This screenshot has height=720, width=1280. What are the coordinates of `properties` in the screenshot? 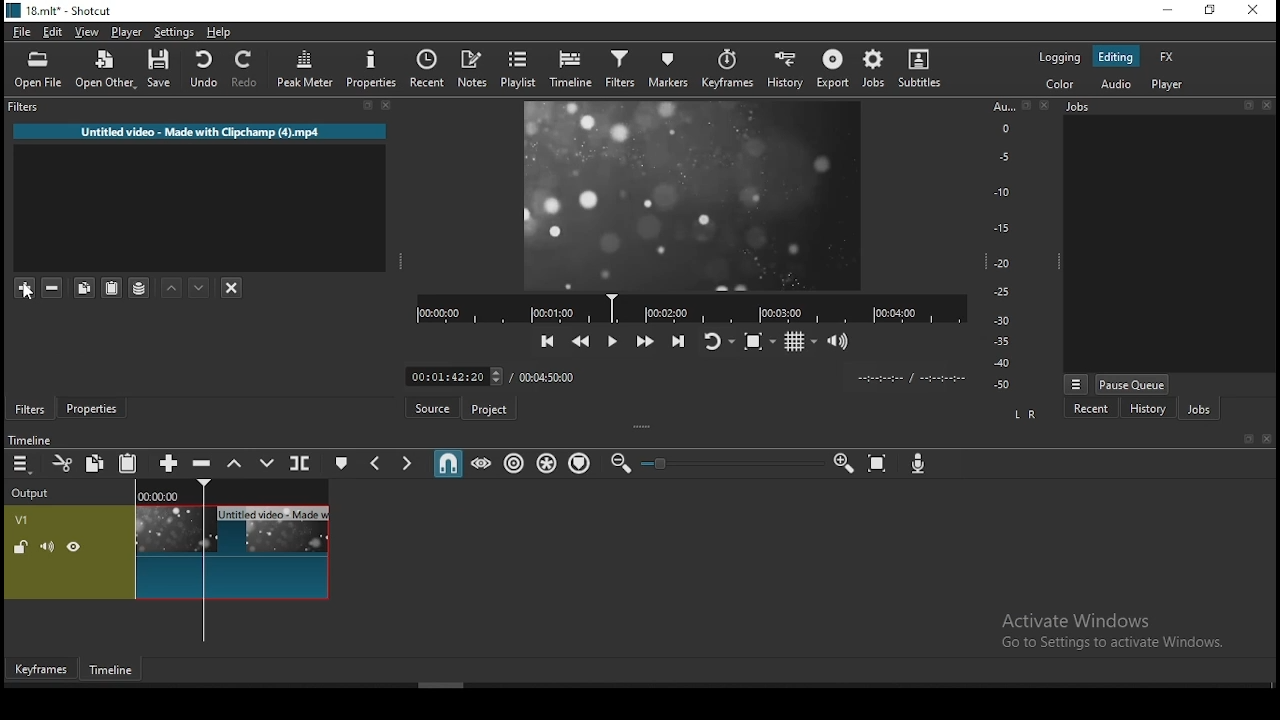 It's located at (91, 408).